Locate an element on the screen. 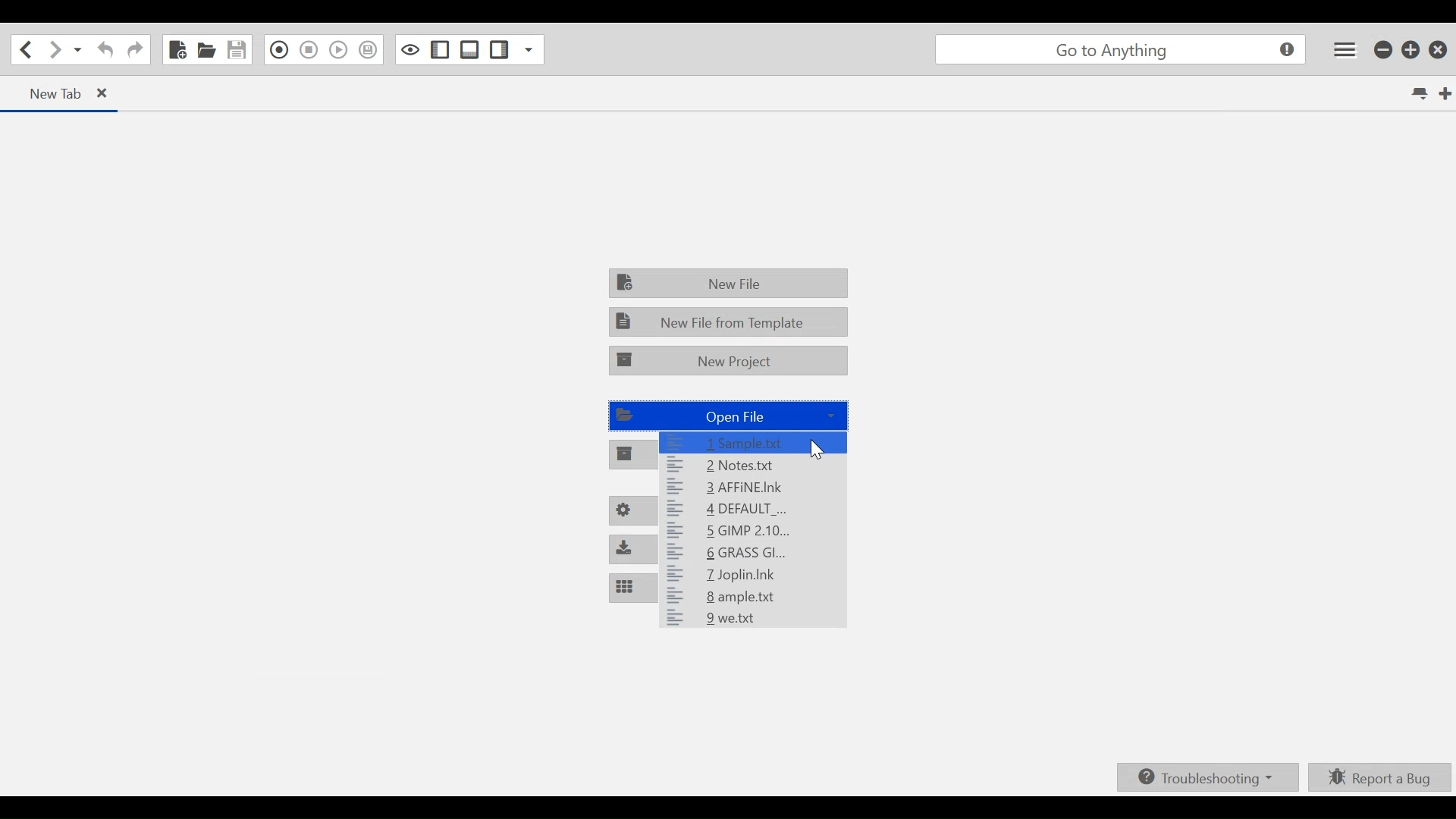  Show/Hide Left pane is located at coordinates (438, 50).